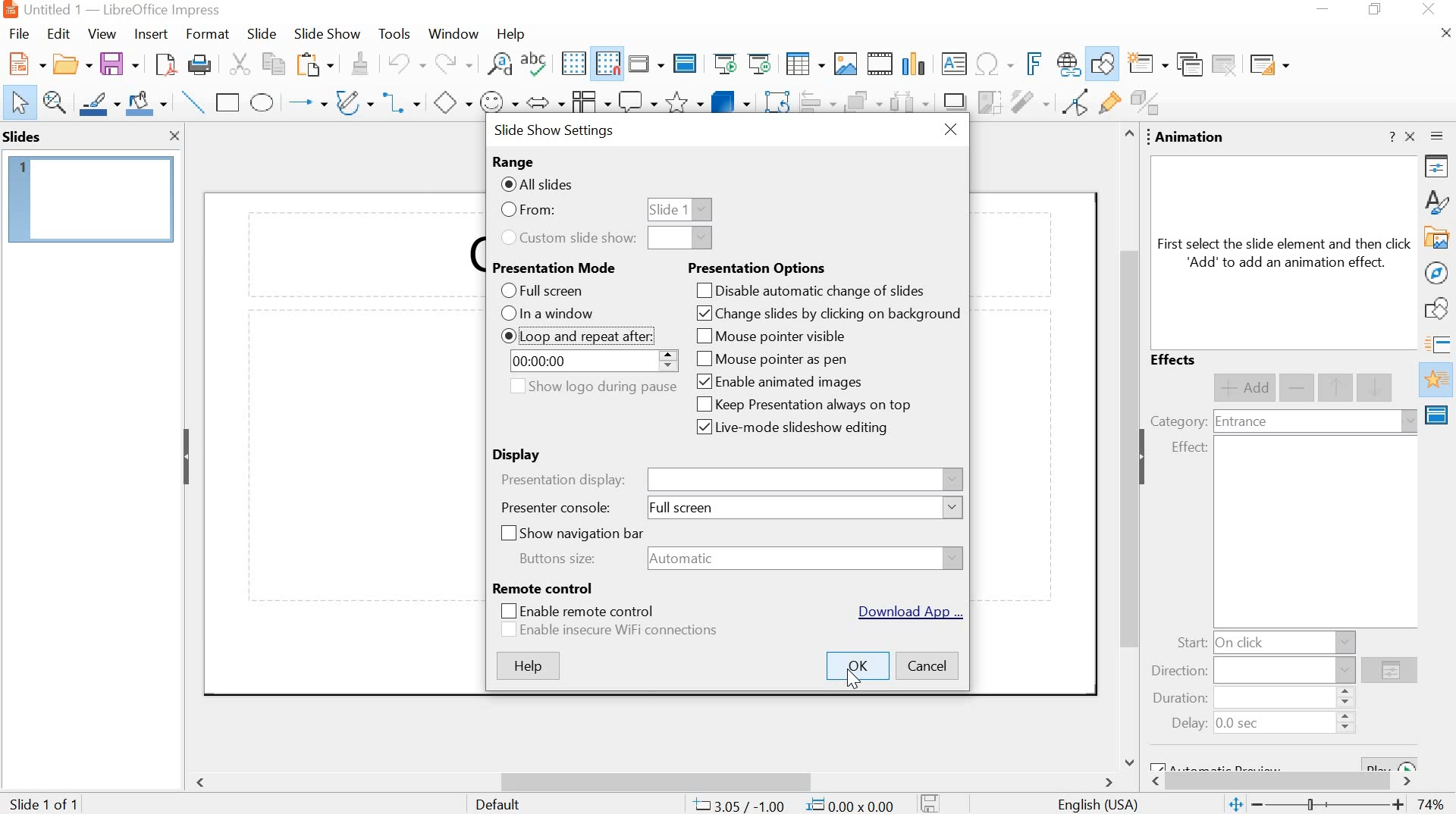 Image resolution: width=1456 pixels, height=814 pixels. I want to click on save, so click(119, 64).